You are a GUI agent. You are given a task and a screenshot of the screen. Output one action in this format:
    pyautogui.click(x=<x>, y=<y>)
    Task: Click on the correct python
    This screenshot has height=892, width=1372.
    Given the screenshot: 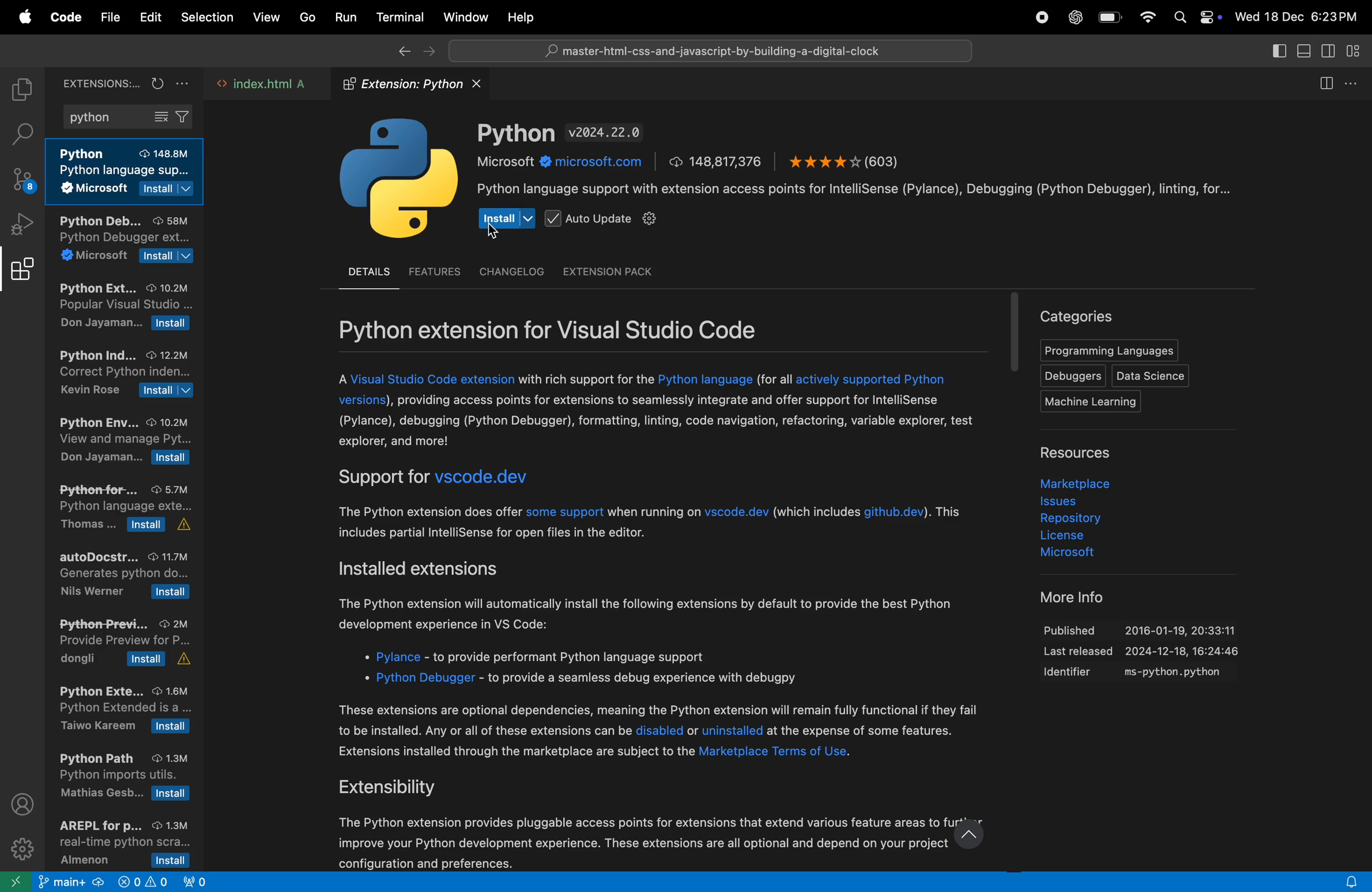 What is the action you would take?
    pyautogui.click(x=123, y=375)
    